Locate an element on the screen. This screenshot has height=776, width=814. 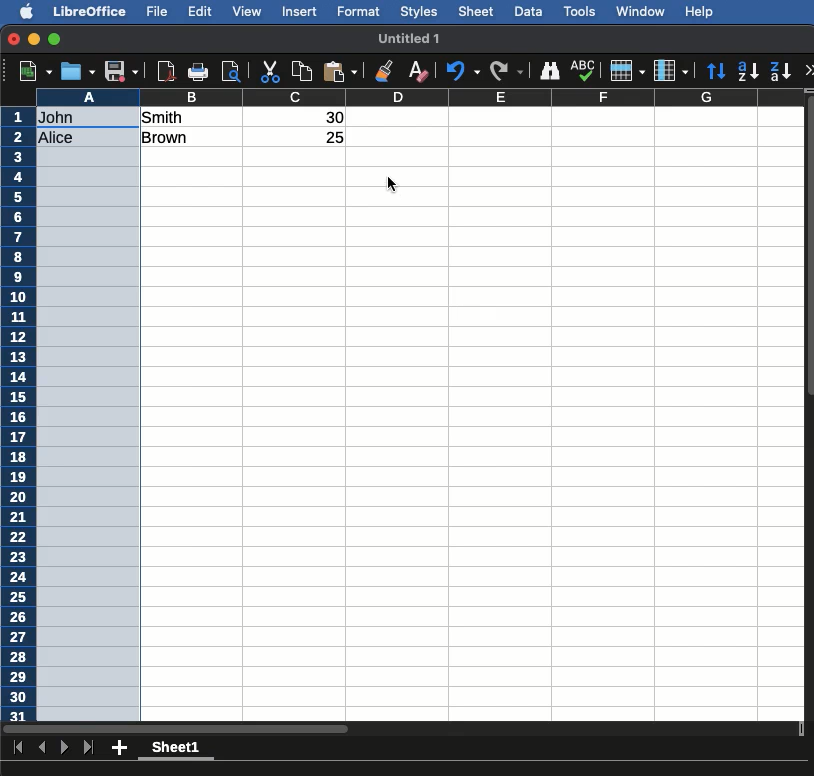
Name is located at coordinates (413, 40).